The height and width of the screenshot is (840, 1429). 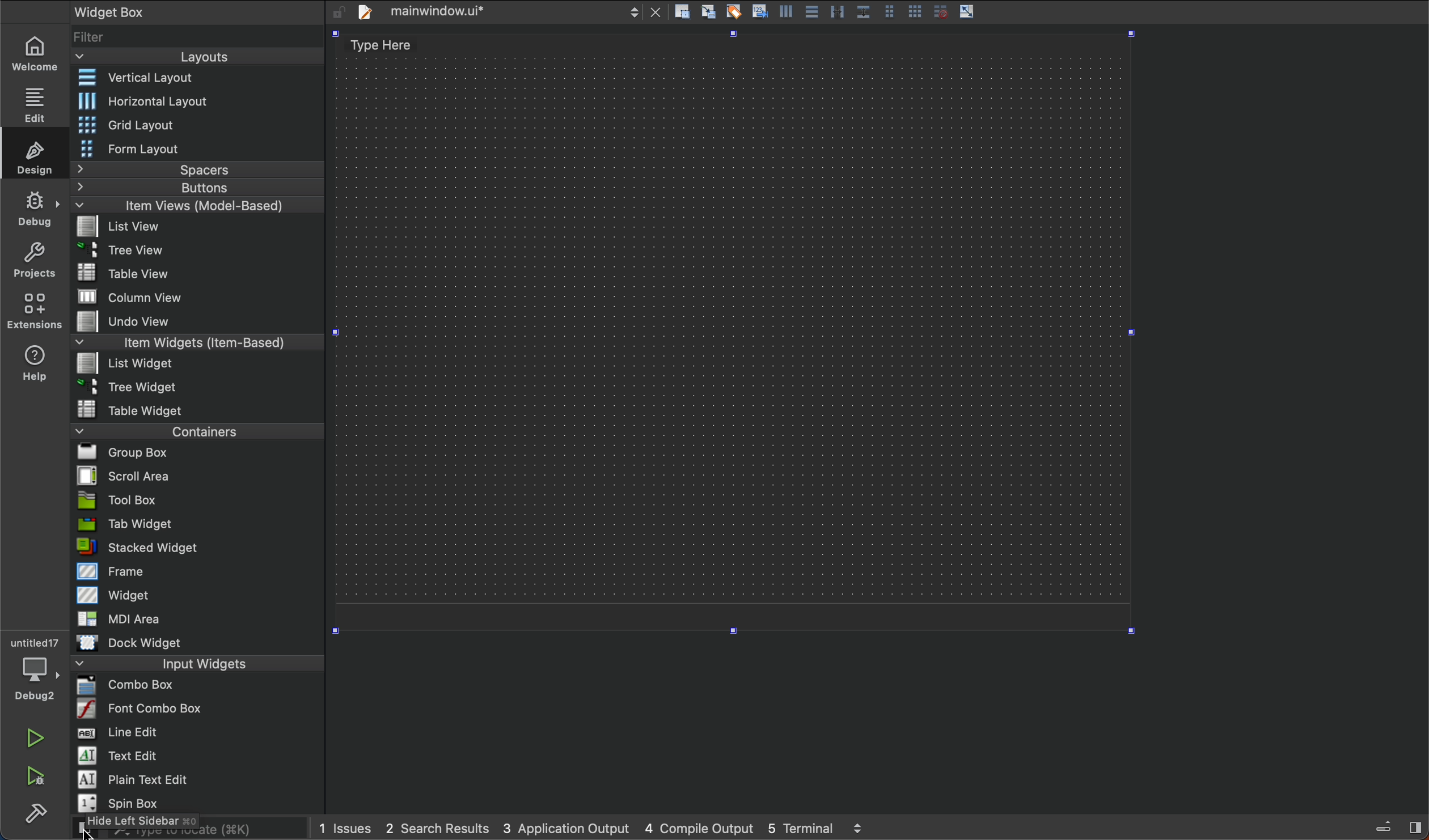 I want to click on , so click(x=708, y=11).